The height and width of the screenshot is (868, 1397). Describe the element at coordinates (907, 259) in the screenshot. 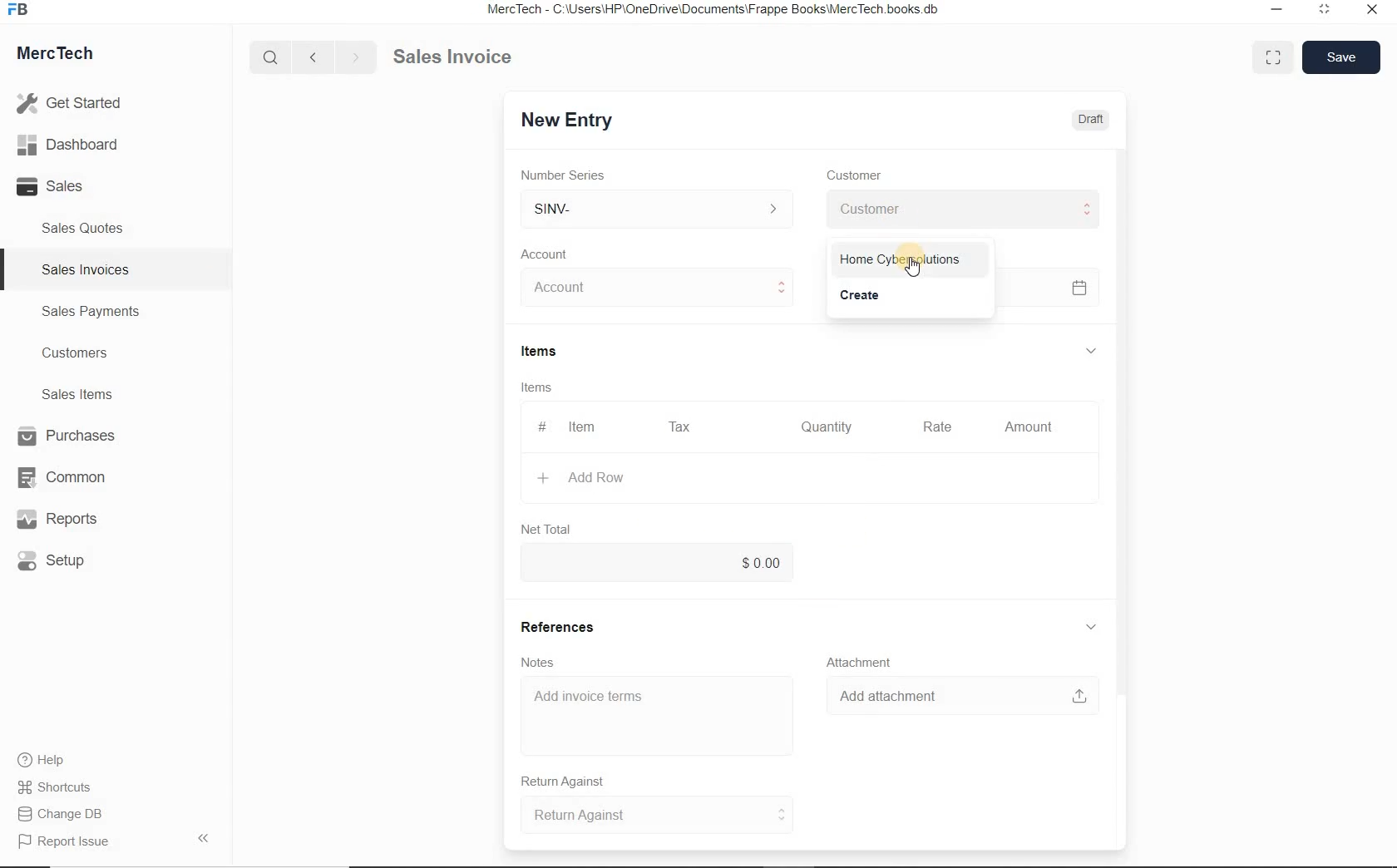

I see `Home Cybersolutions` at that location.